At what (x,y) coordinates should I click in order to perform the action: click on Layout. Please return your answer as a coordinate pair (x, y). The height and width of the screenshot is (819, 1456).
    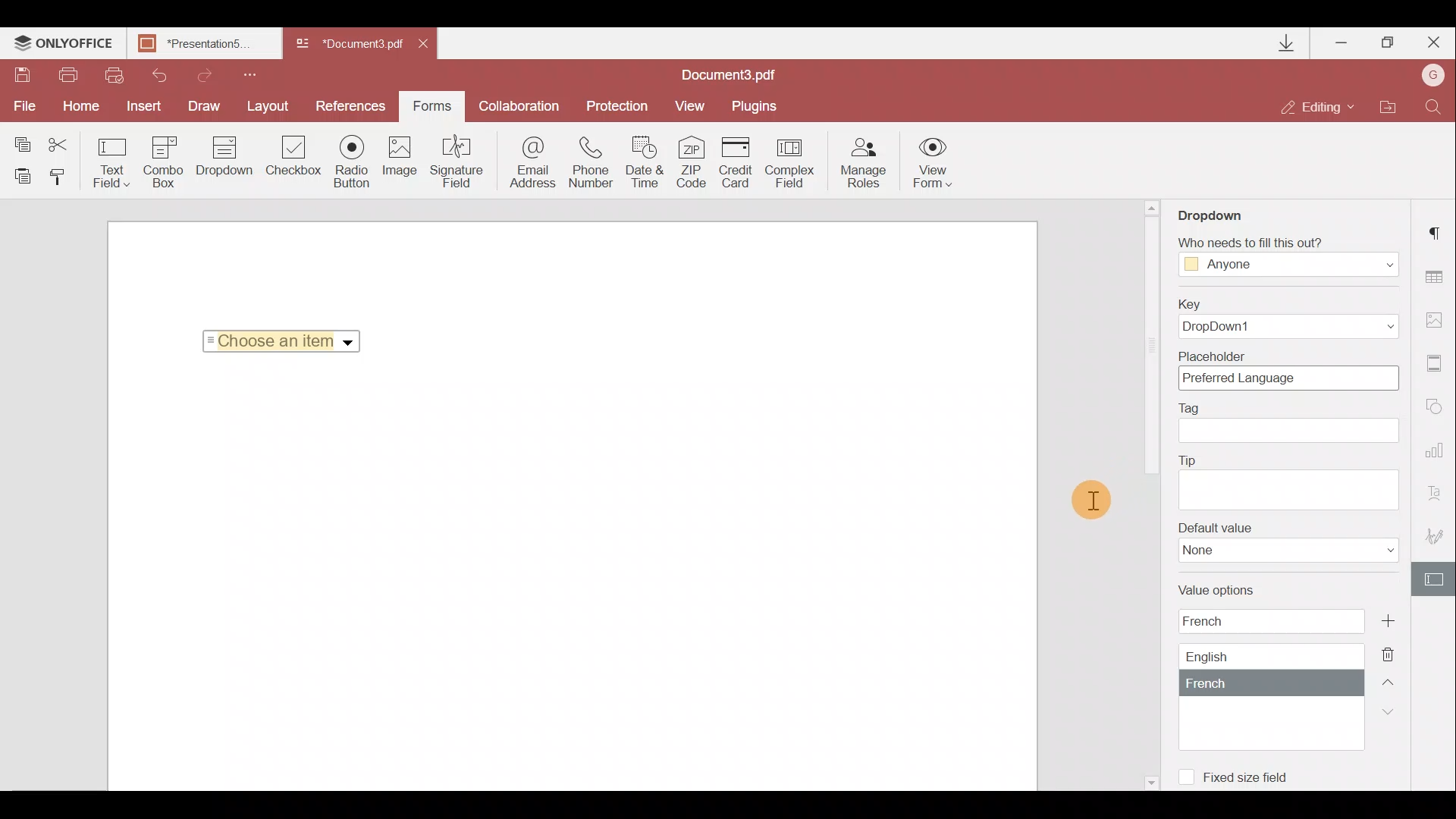
    Looking at the image, I should click on (269, 104).